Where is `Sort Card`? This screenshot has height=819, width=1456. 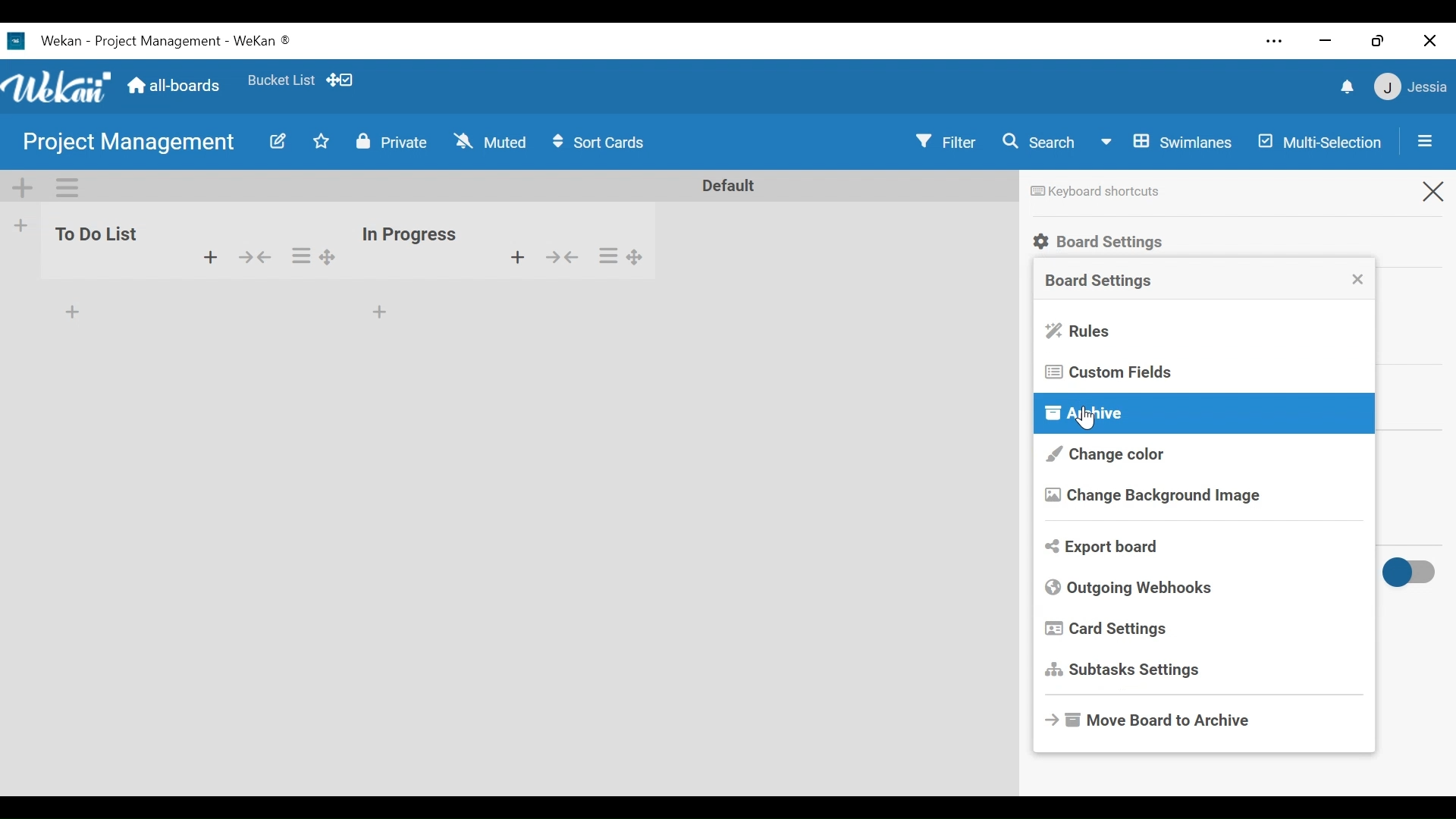 Sort Card is located at coordinates (606, 143).